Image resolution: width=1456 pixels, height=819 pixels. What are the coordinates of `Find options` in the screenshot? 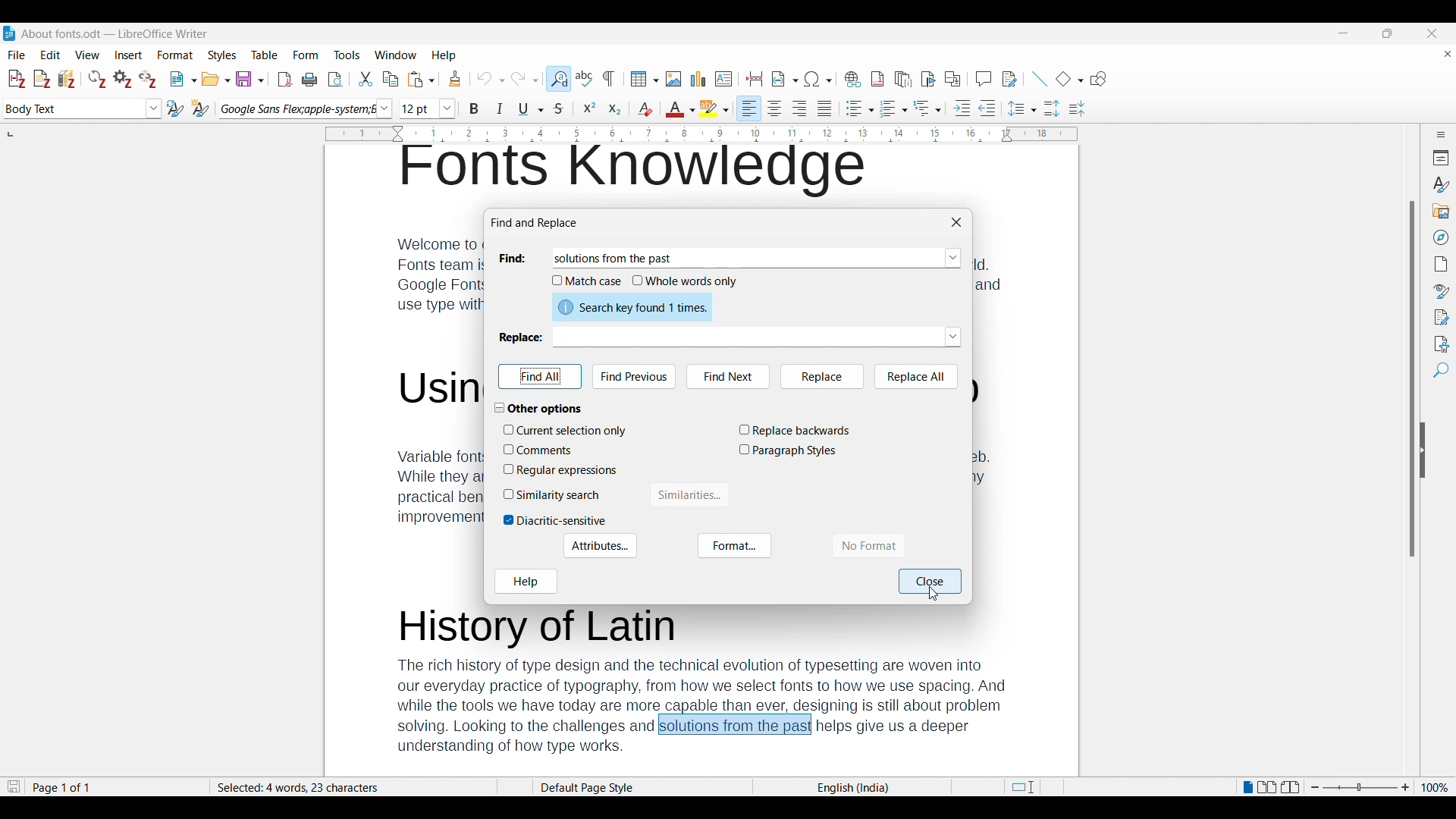 It's located at (953, 259).